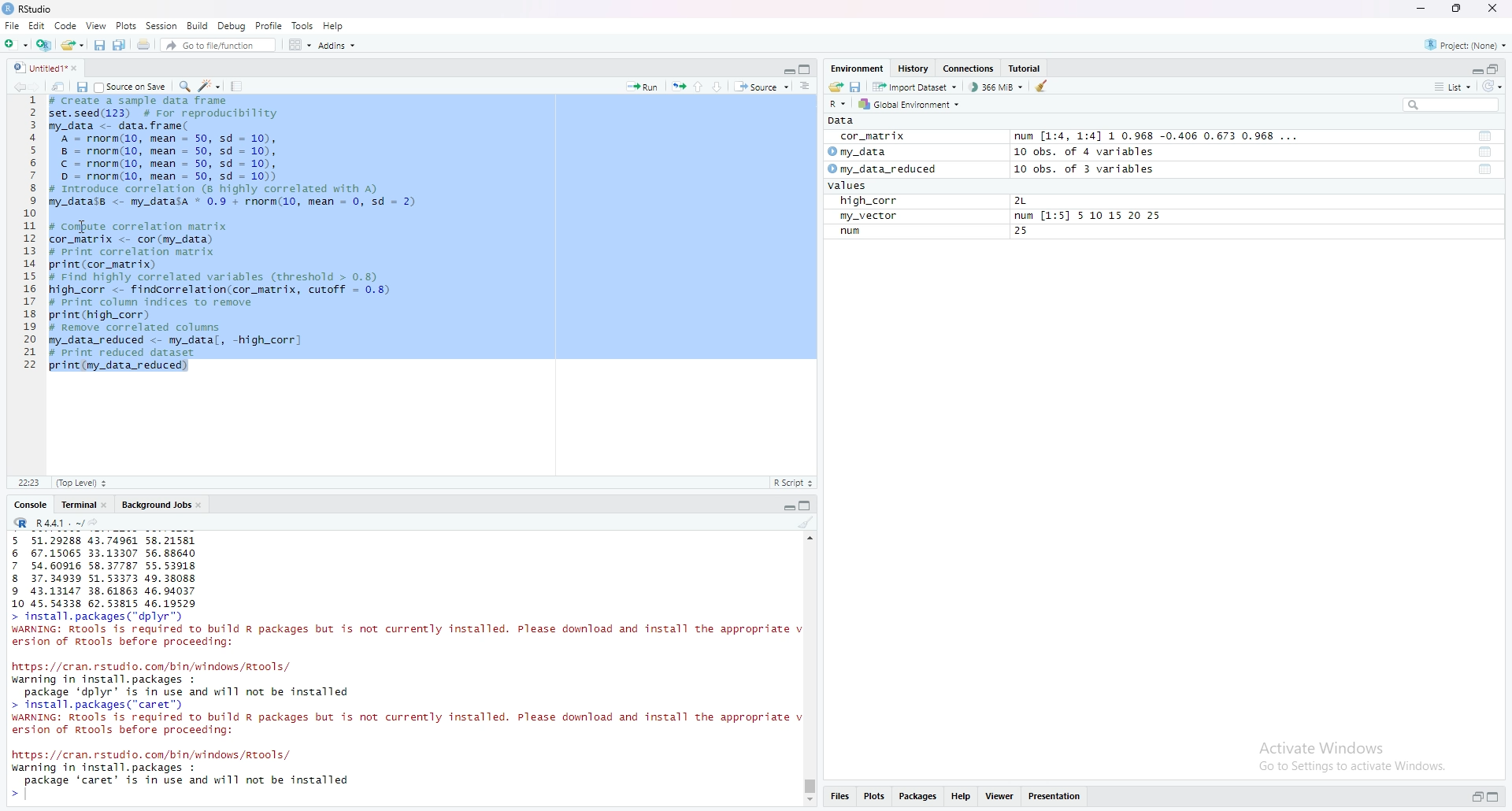 The height and width of the screenshot is (811, 1512). I want to click on num 25, so click(945, 233).